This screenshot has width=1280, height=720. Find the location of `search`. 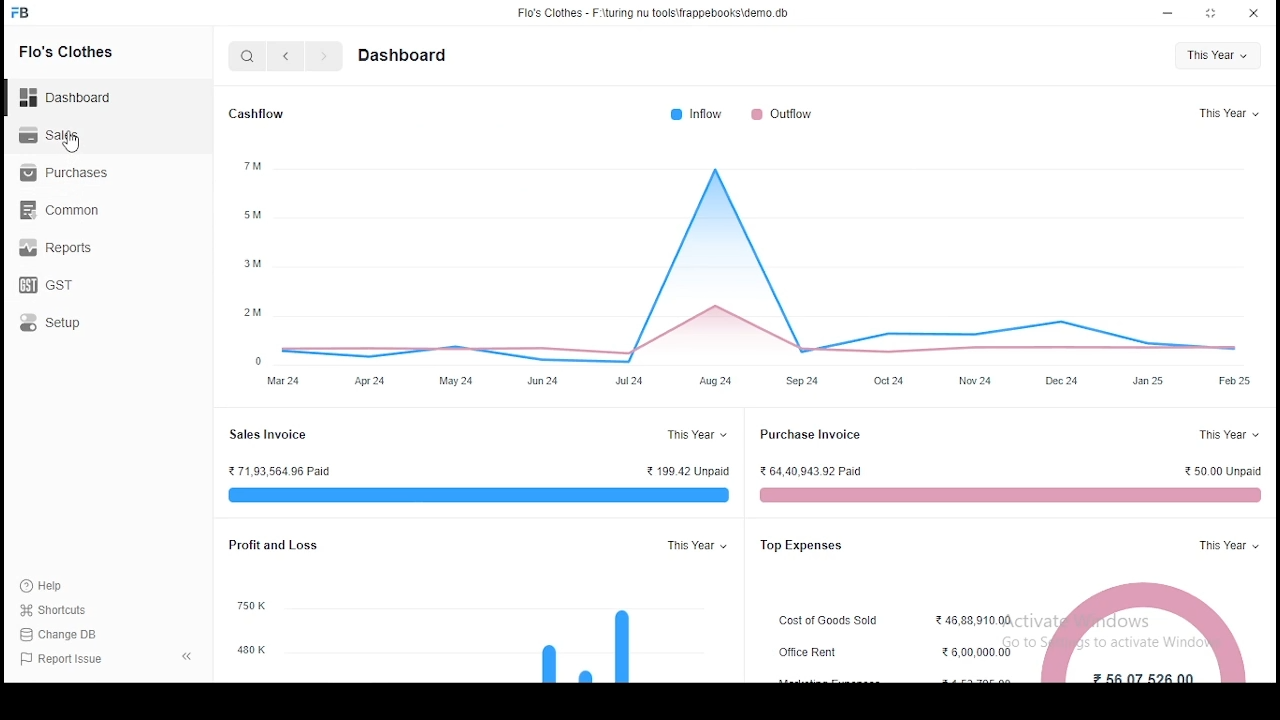

search is located at coordinates (249, 56).